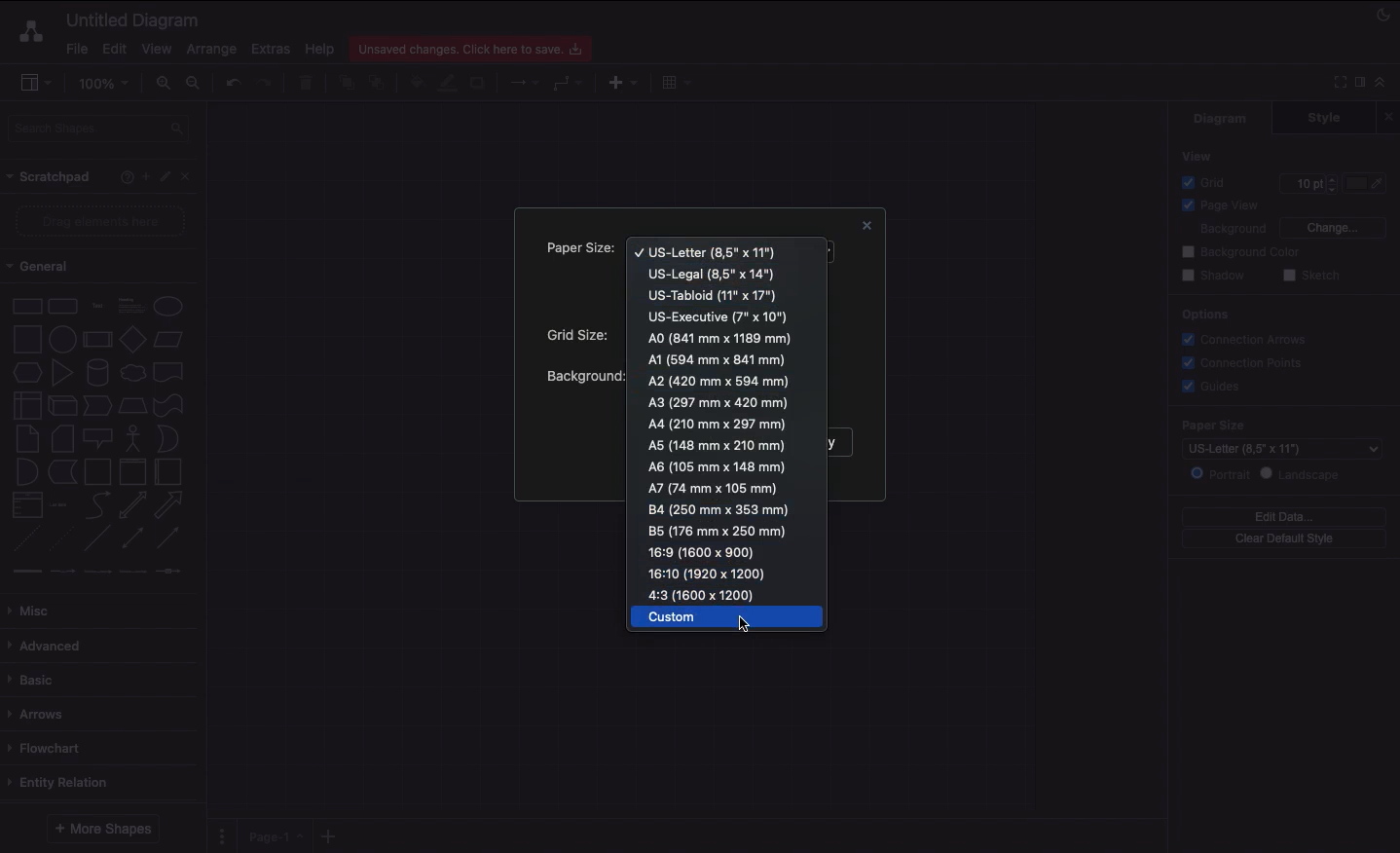  I want to click on Drag elements here, so click(103, 221).